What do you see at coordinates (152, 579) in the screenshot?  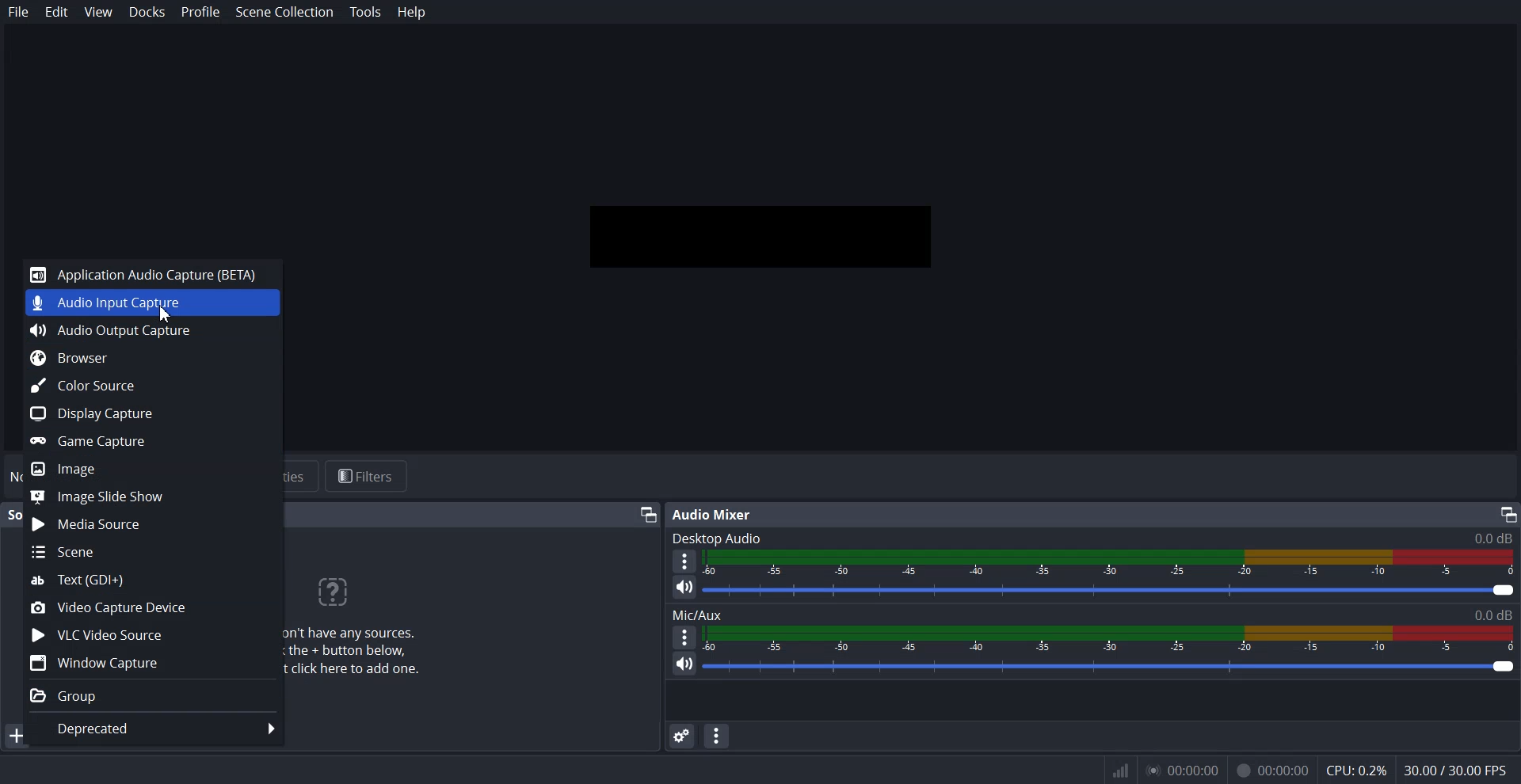 I see `Text GDI+` at bounding box center [152, 579].